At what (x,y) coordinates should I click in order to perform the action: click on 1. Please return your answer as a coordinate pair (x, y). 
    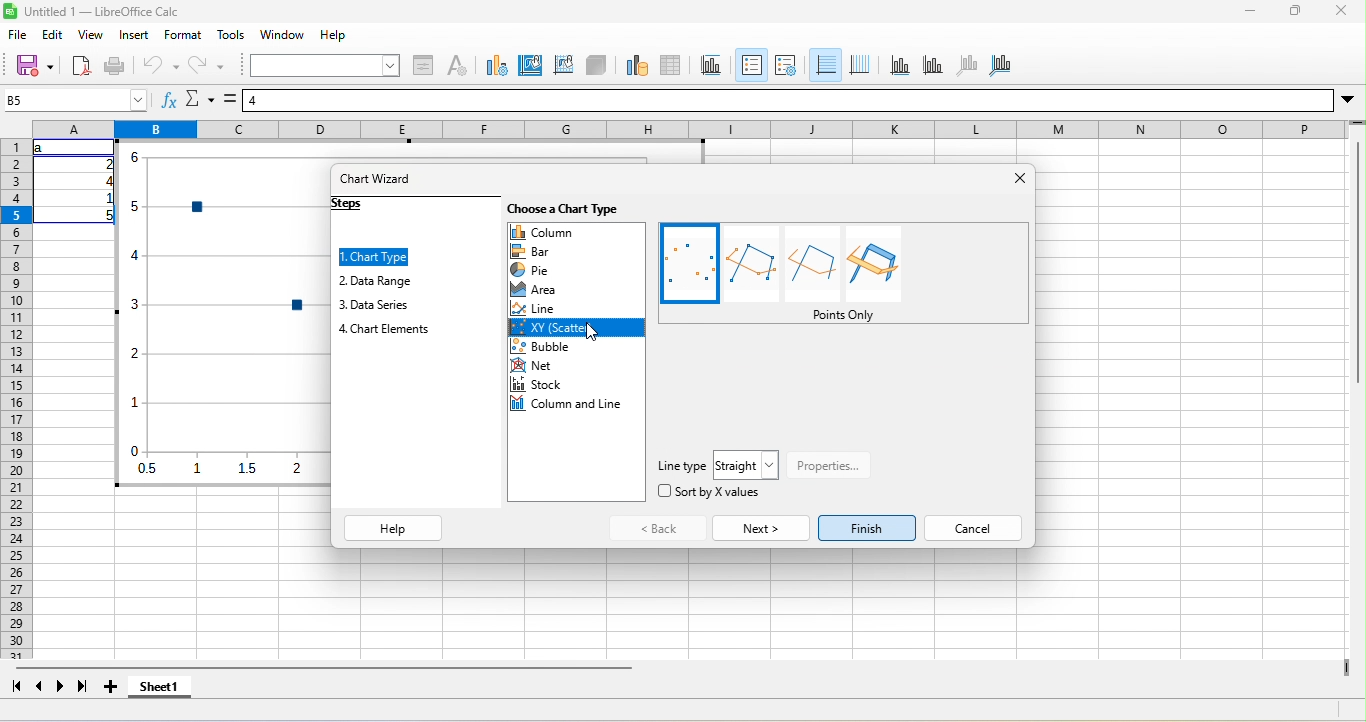
    Looking at the image, I should click on (105, 198).